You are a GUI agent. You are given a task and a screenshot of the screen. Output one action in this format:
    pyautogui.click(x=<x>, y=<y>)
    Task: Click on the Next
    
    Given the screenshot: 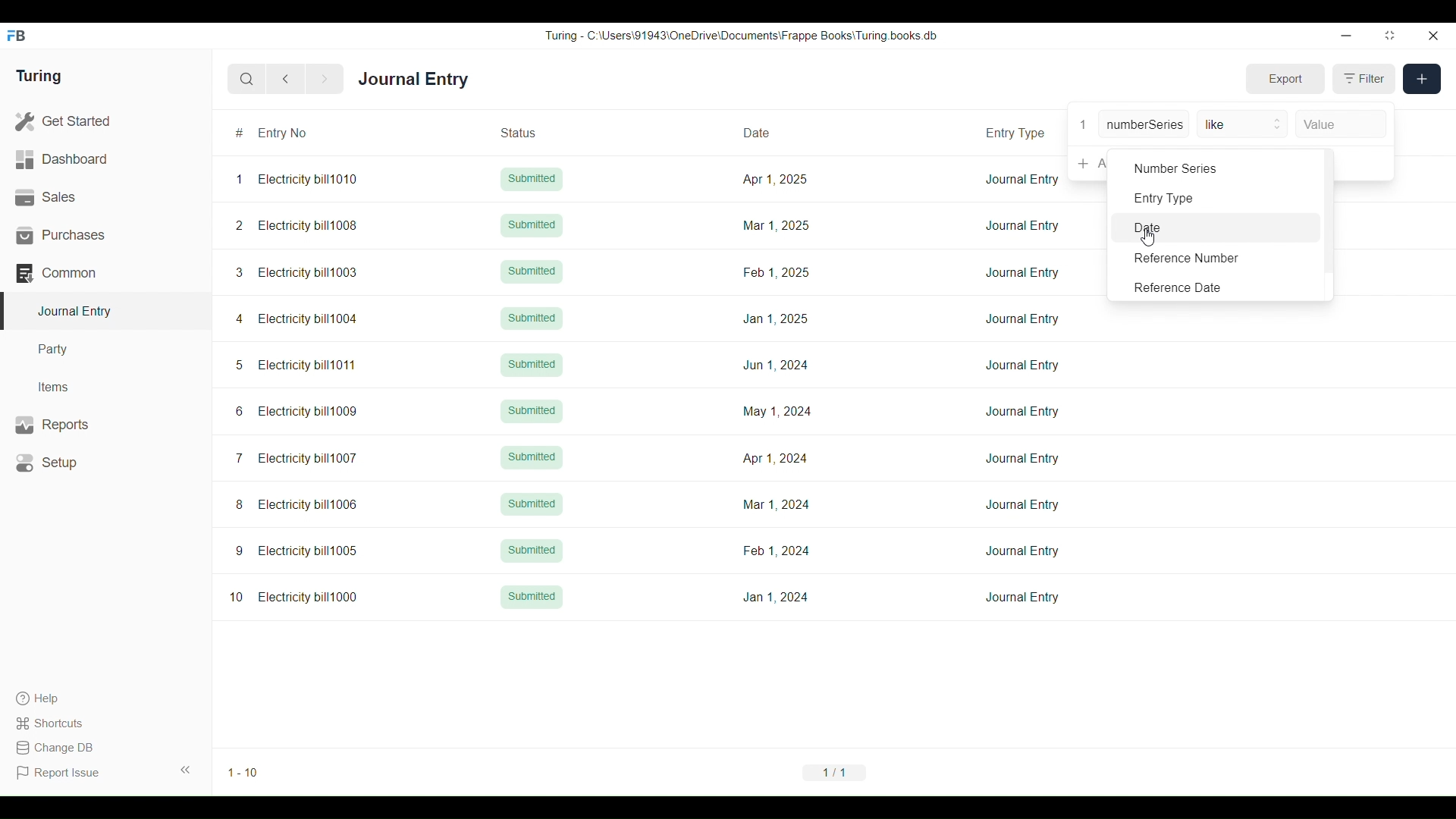 What is the action you would take?
    pyautogui.click(x=325, y=80)
    